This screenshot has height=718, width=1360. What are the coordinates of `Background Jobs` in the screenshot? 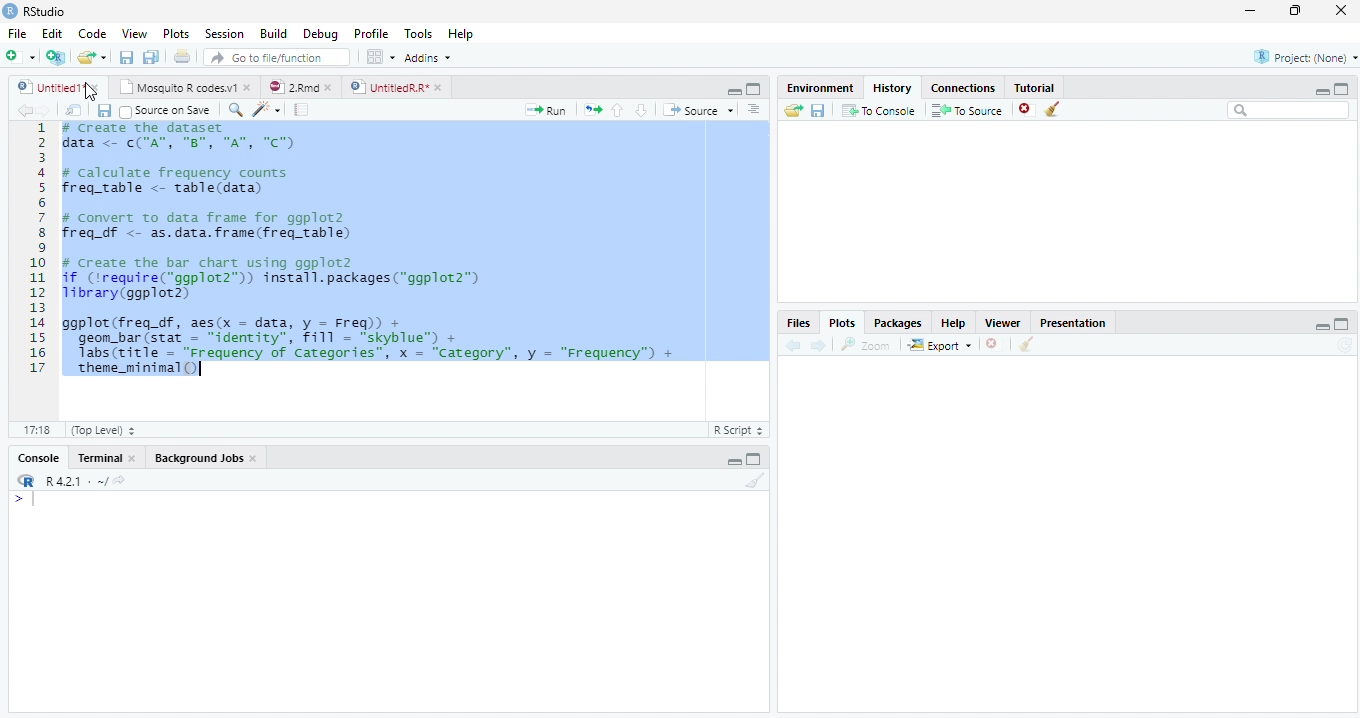 It's located at (207, 457).